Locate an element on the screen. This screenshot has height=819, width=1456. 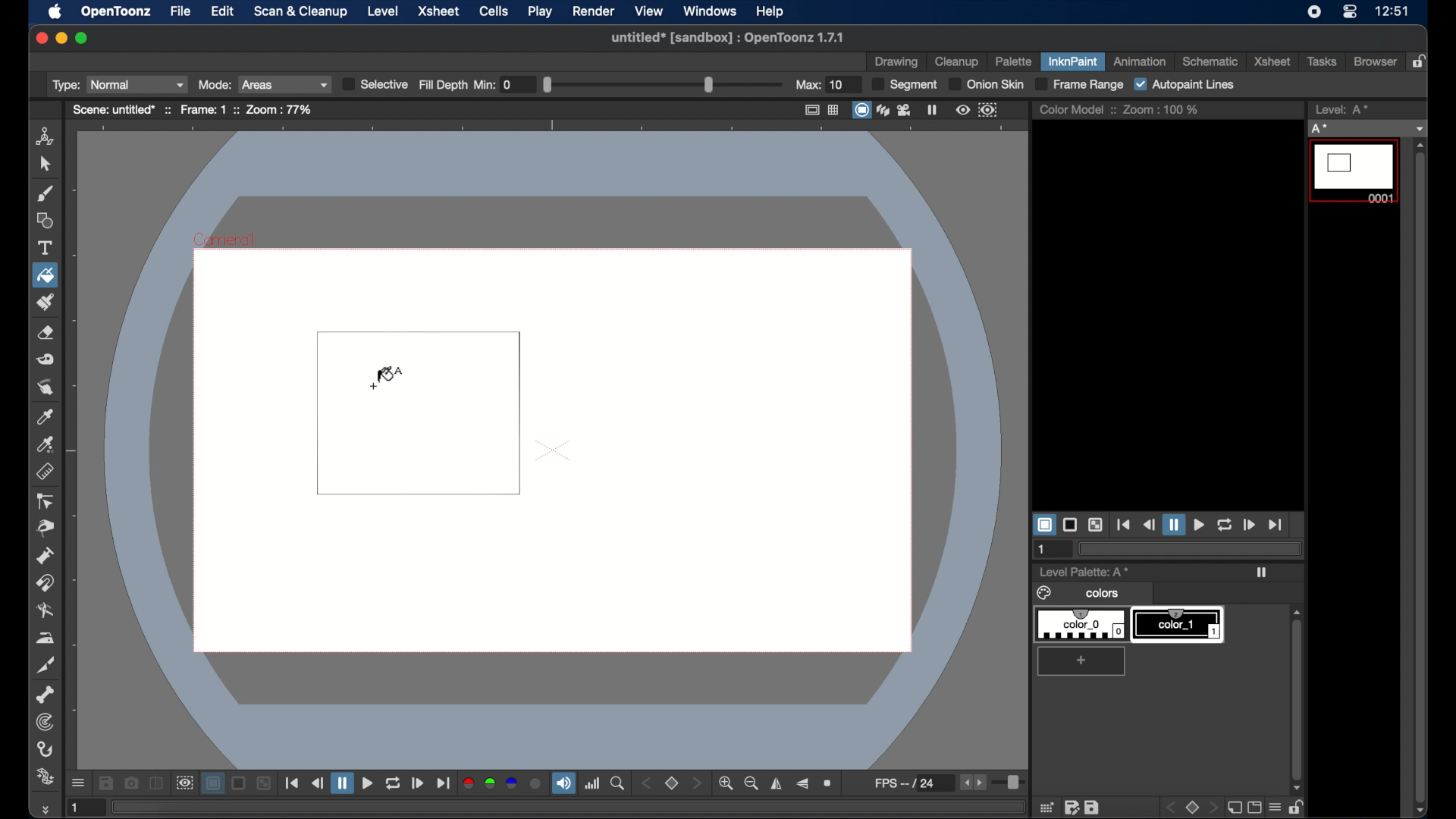
freeze is located at coordinates (933, 109).